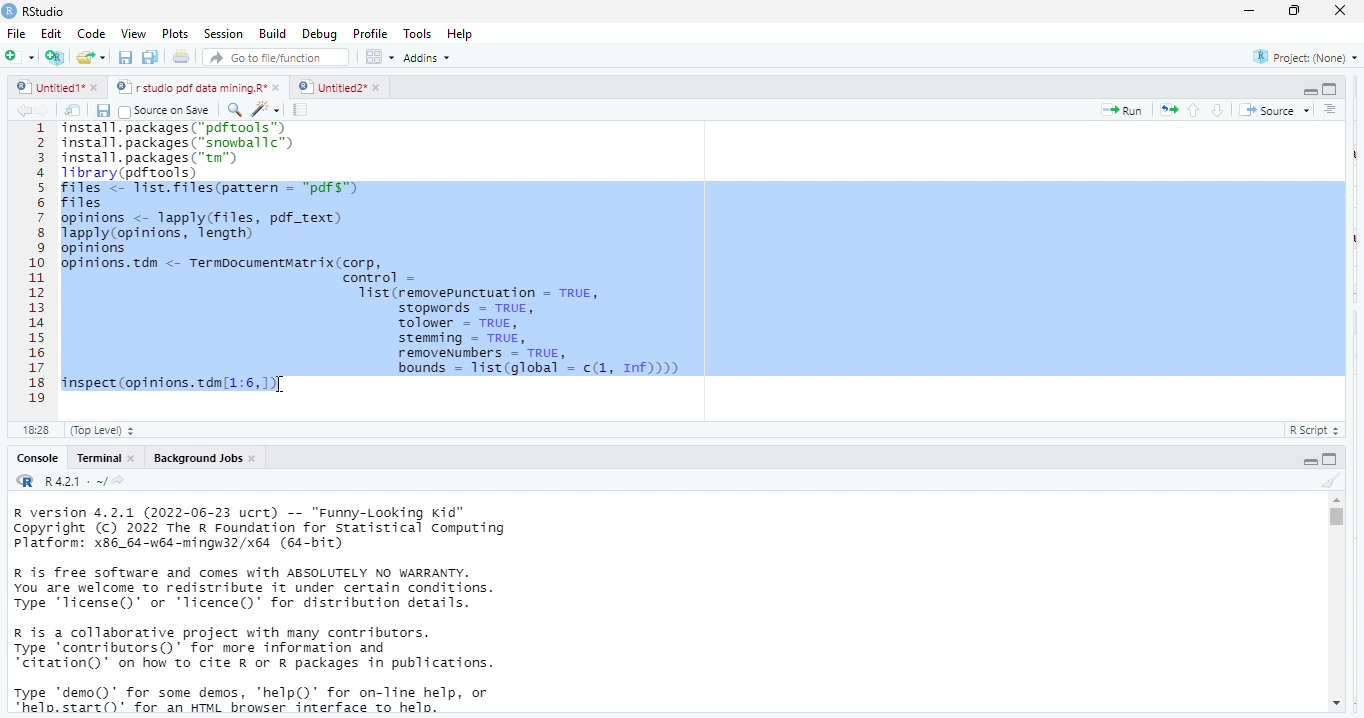 Image resolution: width=1364 pixels, height=718 pixels. What do you see at coordinates (1122, 110) in the screenshot?
I see `run` at bounding box center [1122, 110].